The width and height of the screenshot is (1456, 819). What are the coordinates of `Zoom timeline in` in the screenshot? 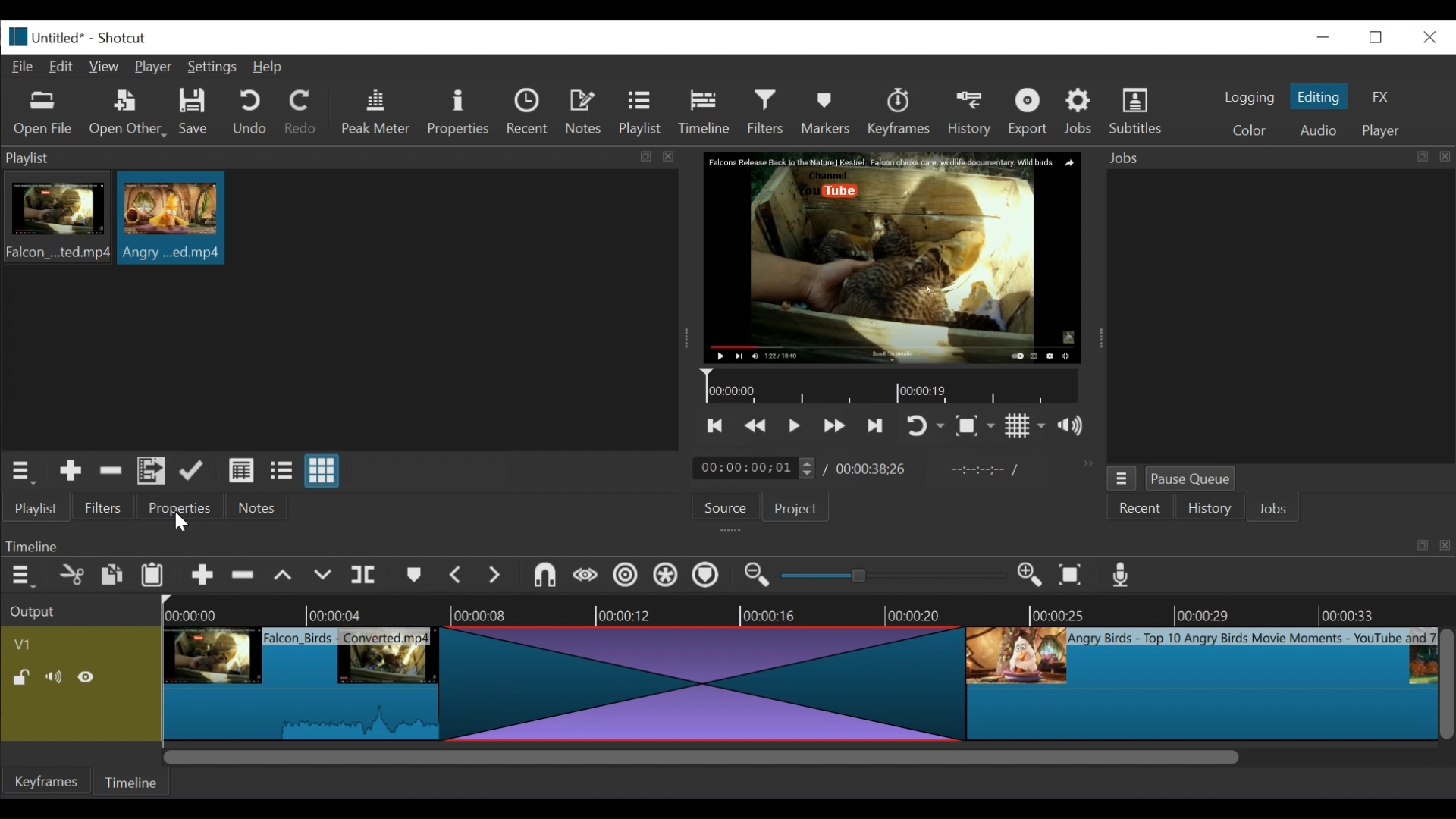 It's located at (755, 577).